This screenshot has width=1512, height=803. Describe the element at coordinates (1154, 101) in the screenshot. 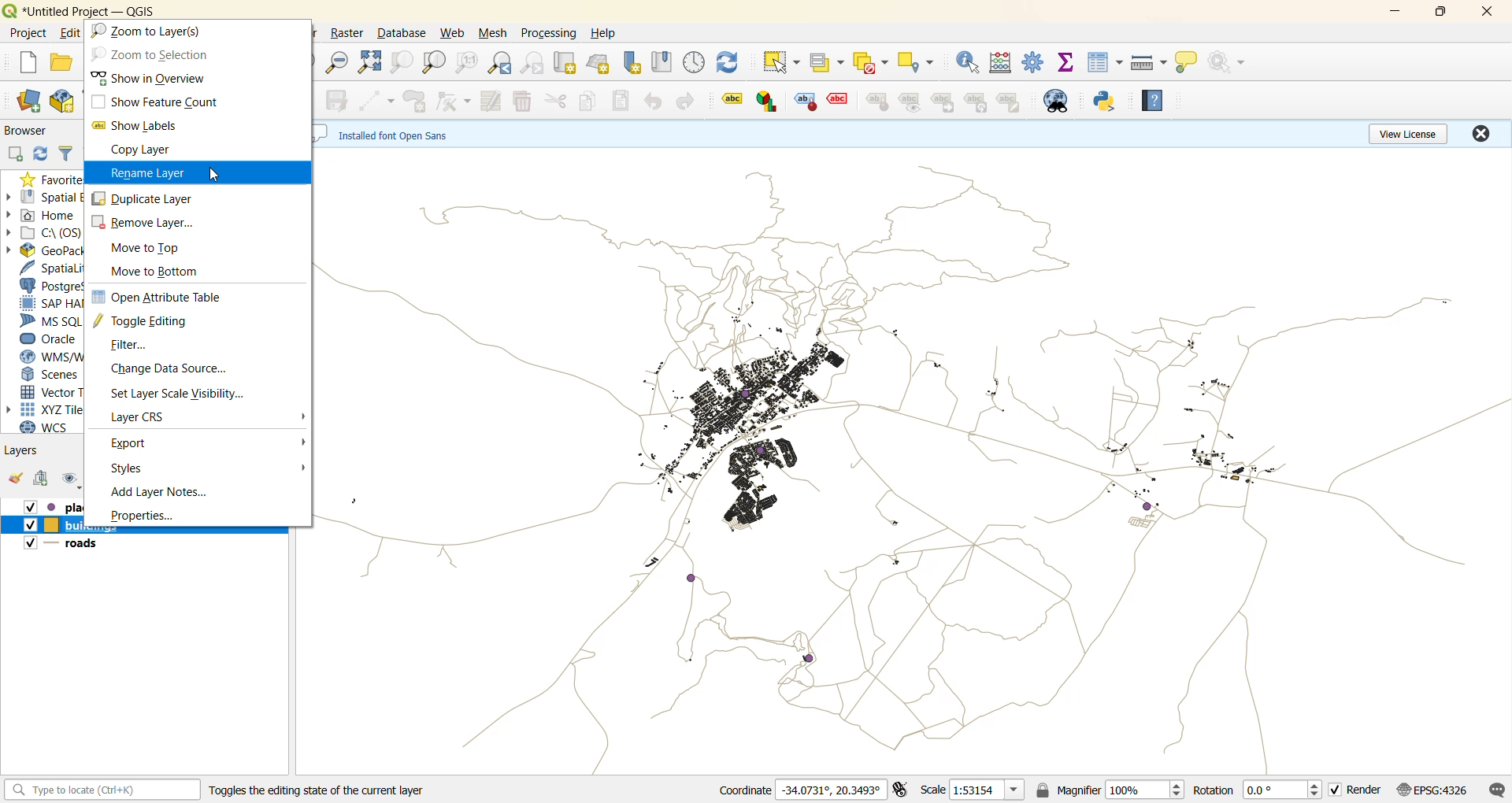

I see `help` at that location.